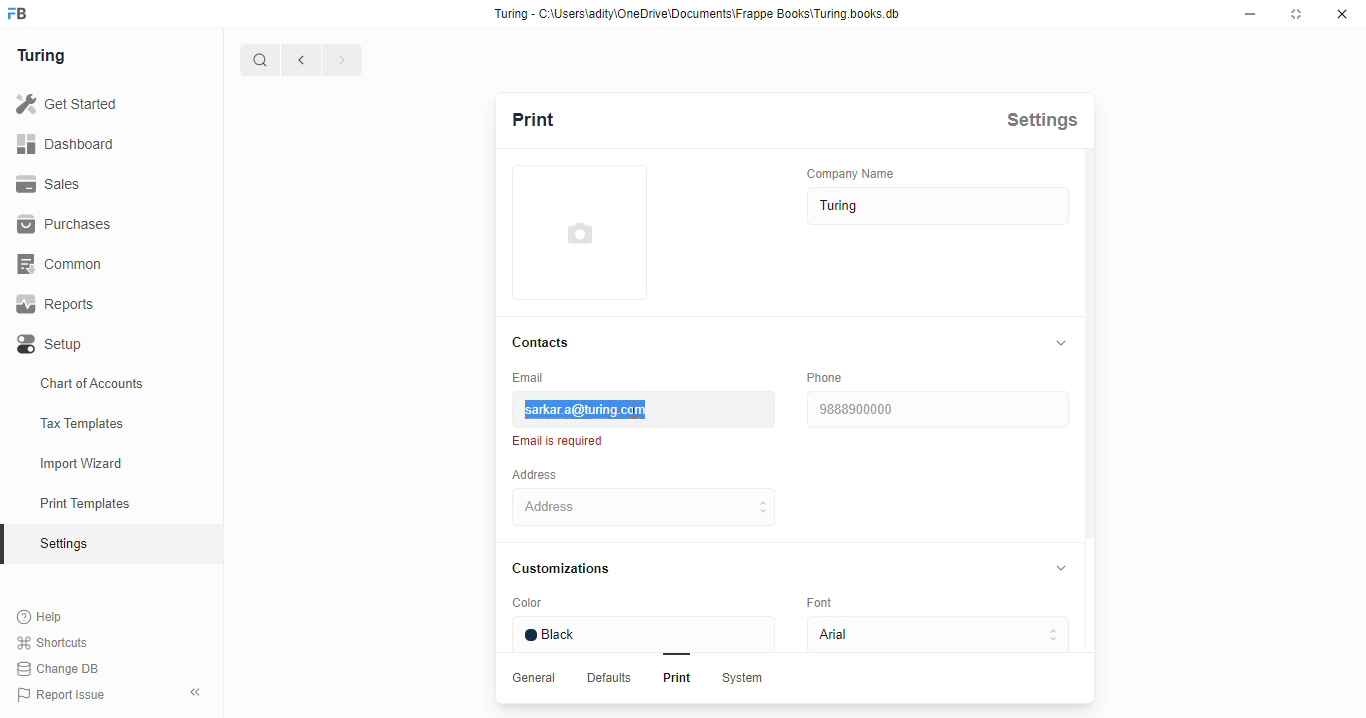 The height and width of the screenshot is (718, 1366). Describe the element at coordinates (71, 143) in the screenshot. I see `Dashboard` at that location.